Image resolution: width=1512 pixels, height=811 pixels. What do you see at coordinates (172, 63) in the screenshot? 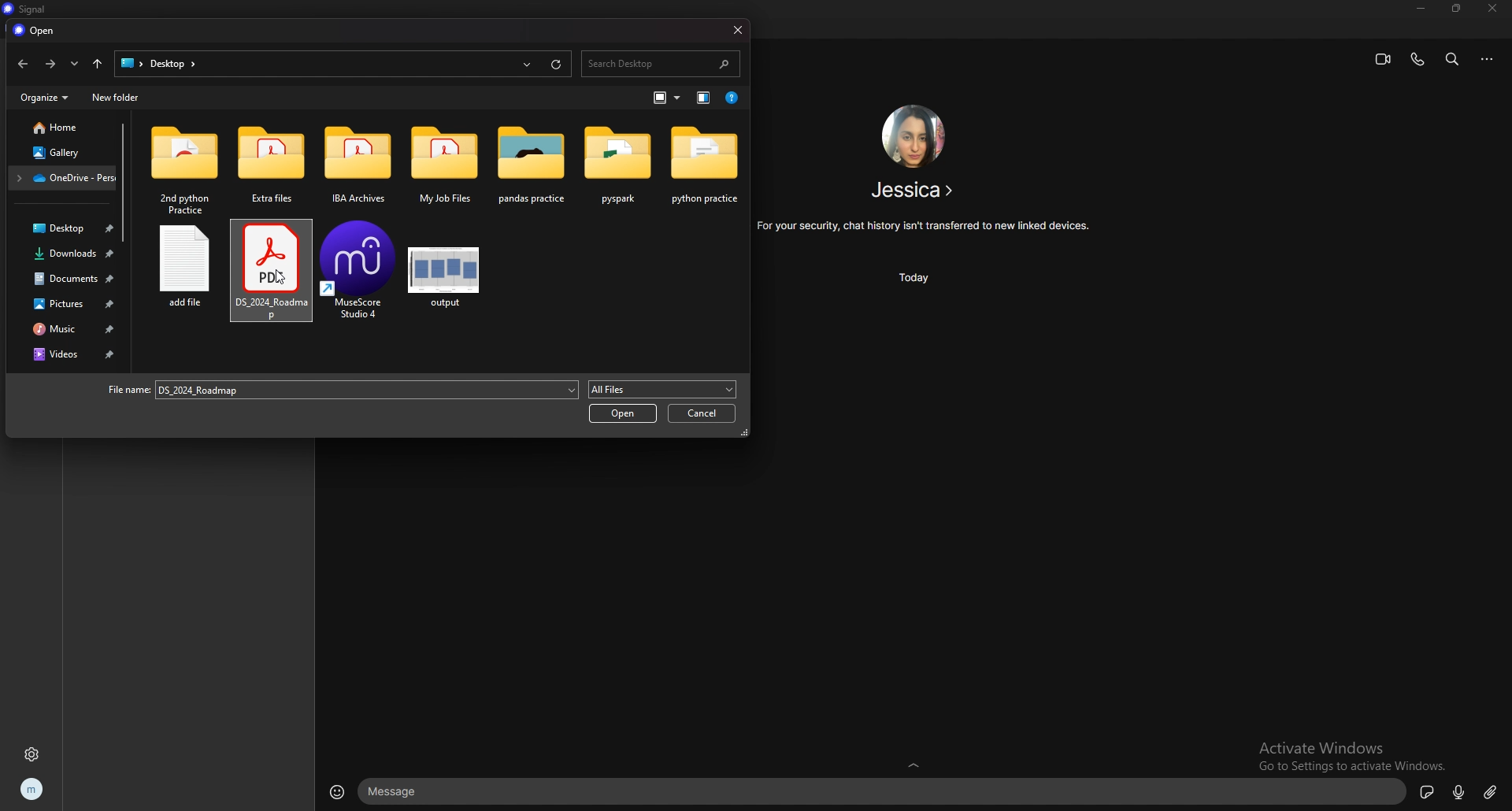
I see `desktop` at bounding box center [172, 63].